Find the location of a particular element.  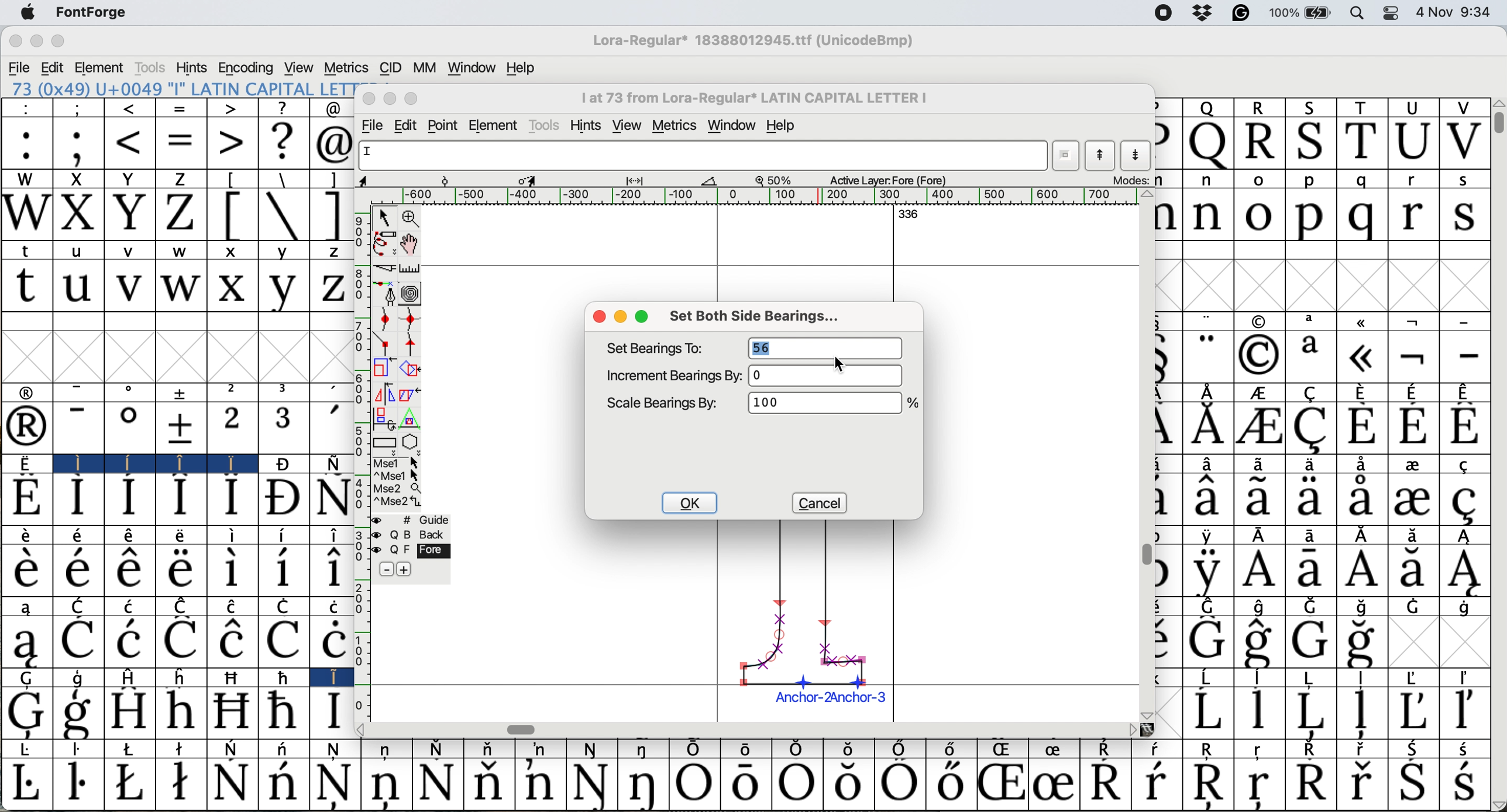

hint is located at coordinates (586, 125).